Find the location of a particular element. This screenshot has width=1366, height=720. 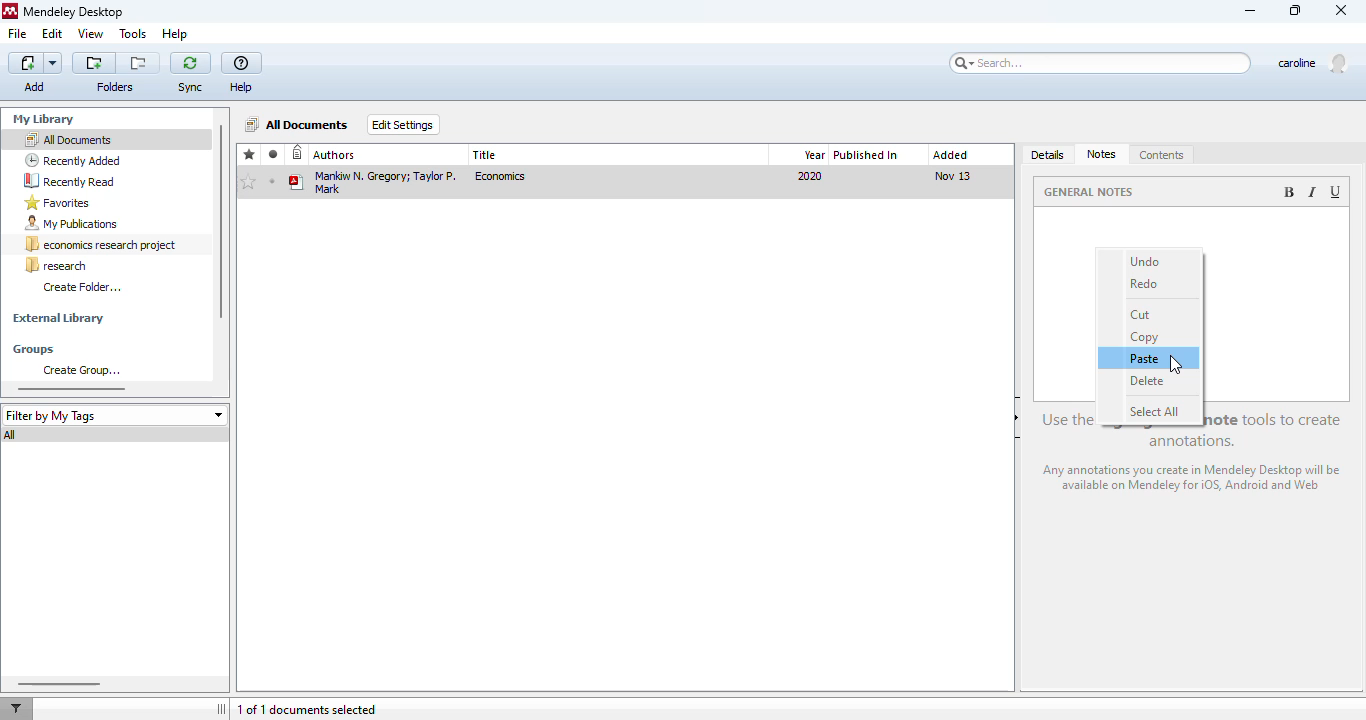

read/unread is located at coordinates (274, 154).